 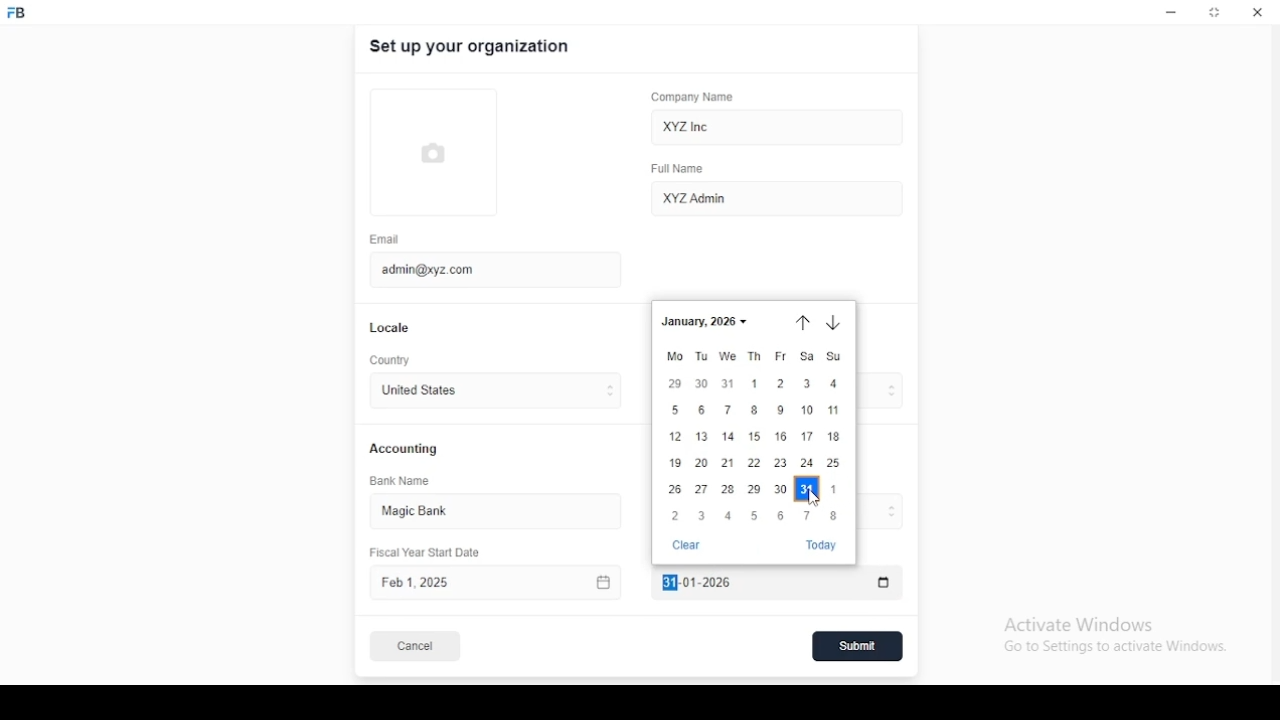 What do you see at coordinates (385, 239) in the screenshot?
I see `email` at bounding box center [385, 239].